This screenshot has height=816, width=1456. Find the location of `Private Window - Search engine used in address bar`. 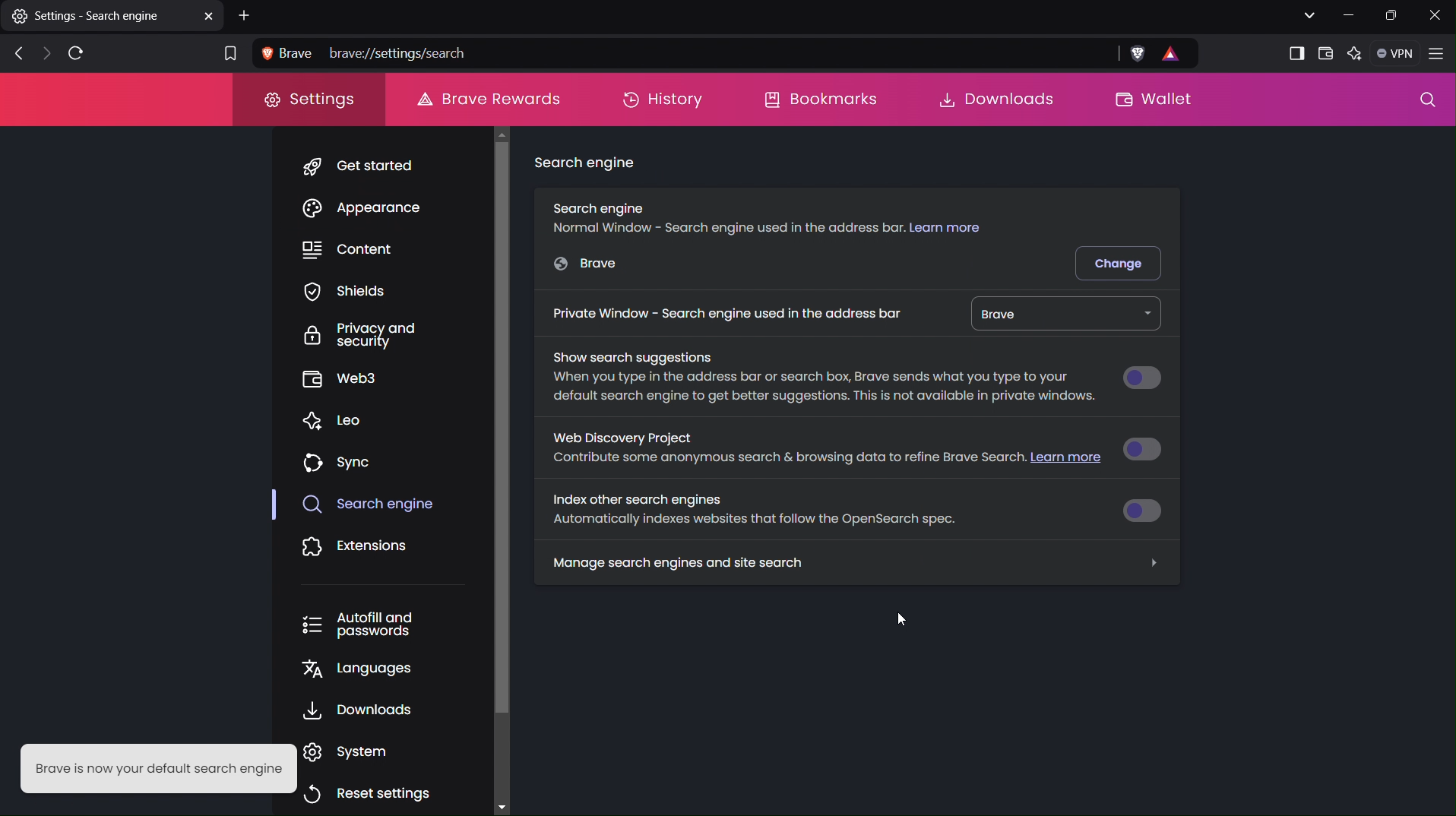

Private Window - Search engine used in address bar is located at coordinates (725, 312).